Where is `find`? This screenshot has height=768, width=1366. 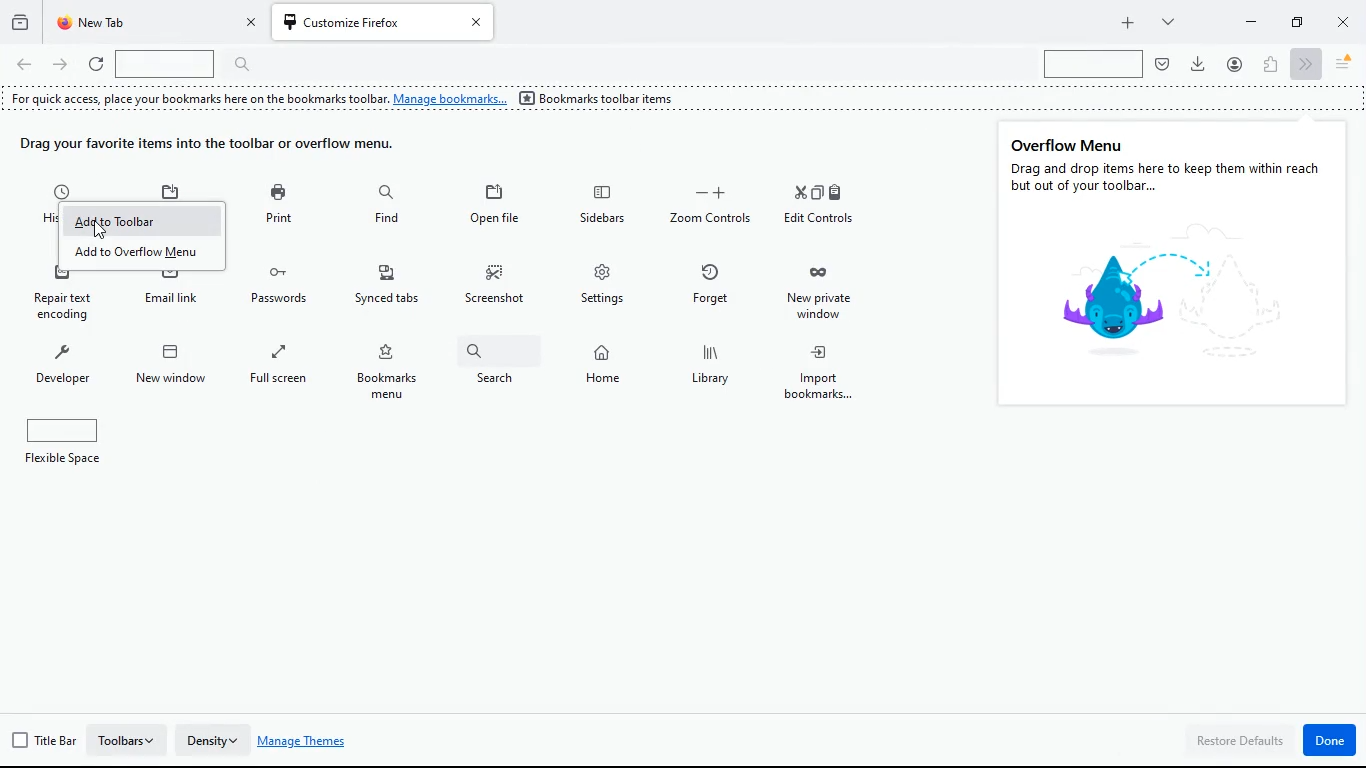 find is located at coordinates (385, 206).